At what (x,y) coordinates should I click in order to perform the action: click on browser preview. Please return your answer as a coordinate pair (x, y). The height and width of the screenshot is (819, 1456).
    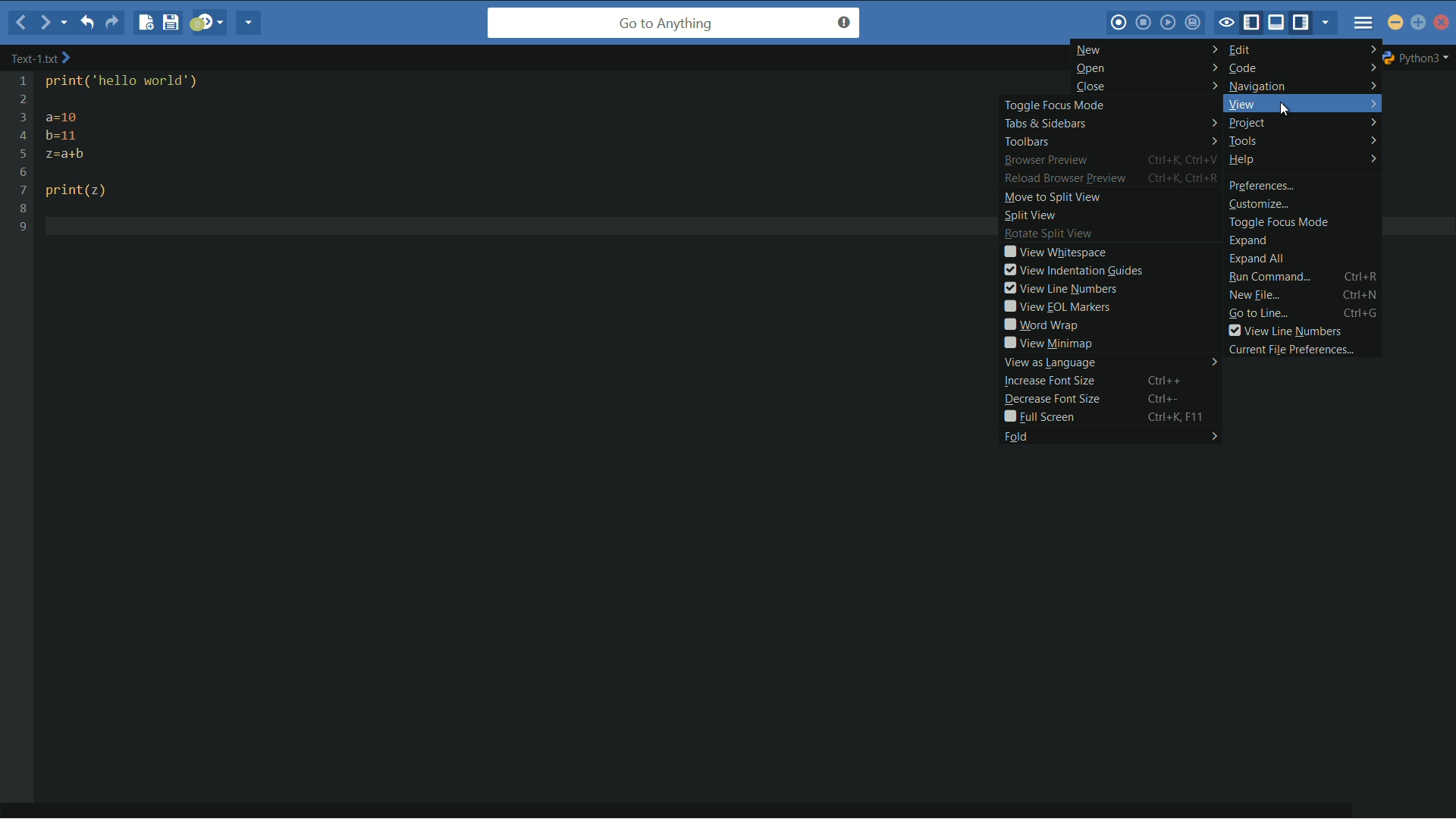
    Looking at the image, I should click on (1046, 161).